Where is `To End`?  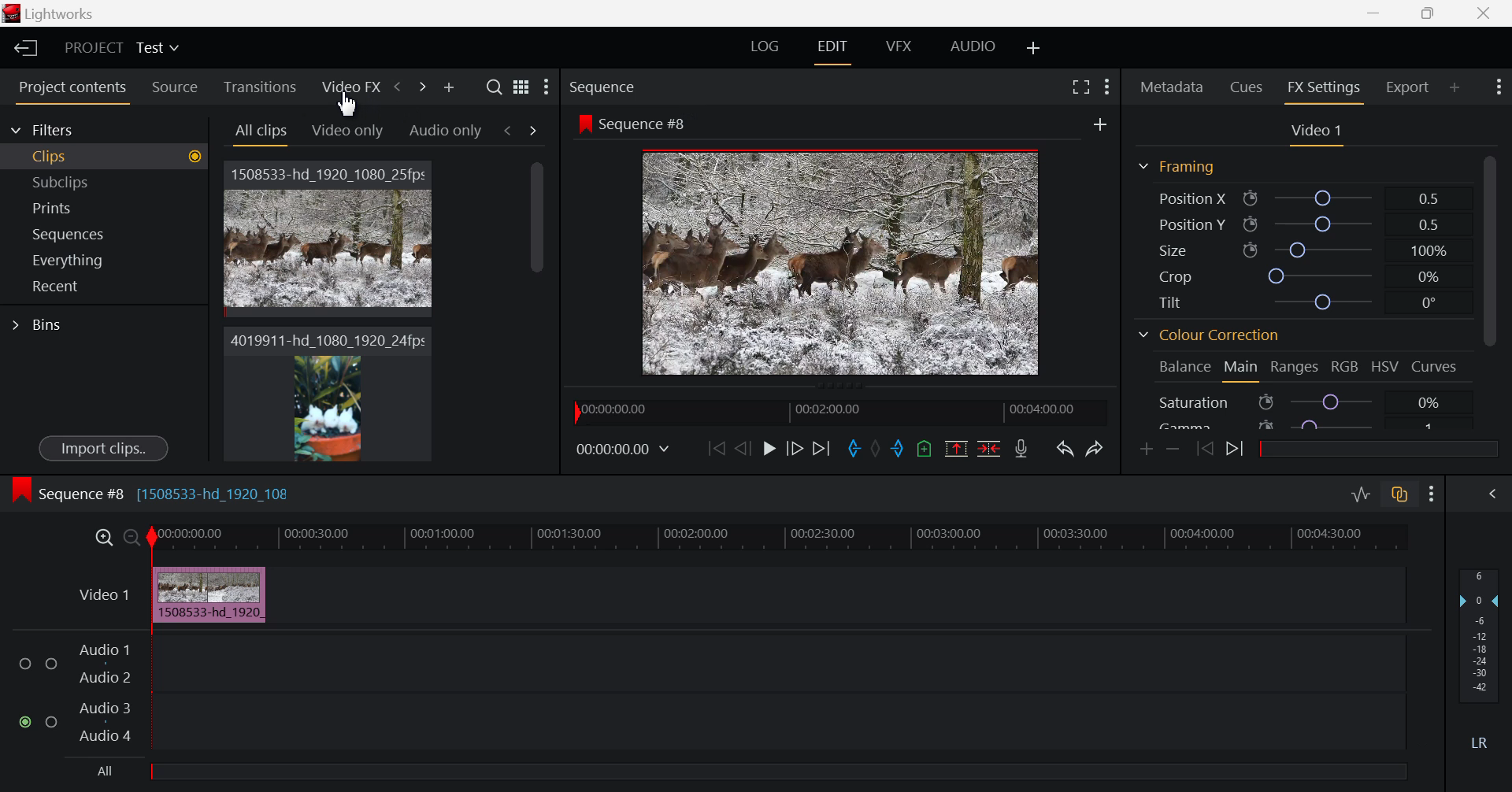 To End is located at coordinates (823, 450).